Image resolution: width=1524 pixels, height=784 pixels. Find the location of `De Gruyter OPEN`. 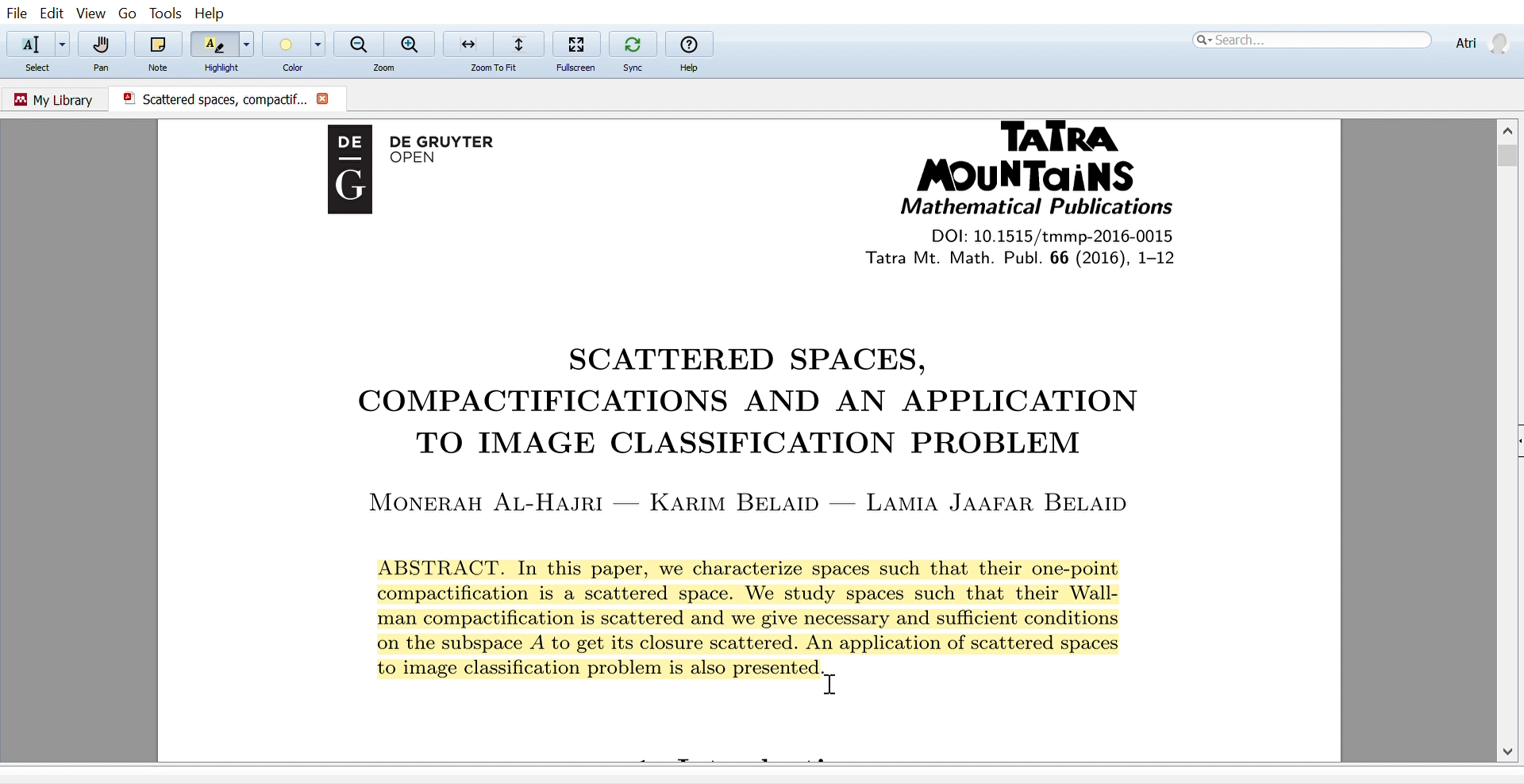

De Gruyter OPEN is located at coordinates (458, 153).